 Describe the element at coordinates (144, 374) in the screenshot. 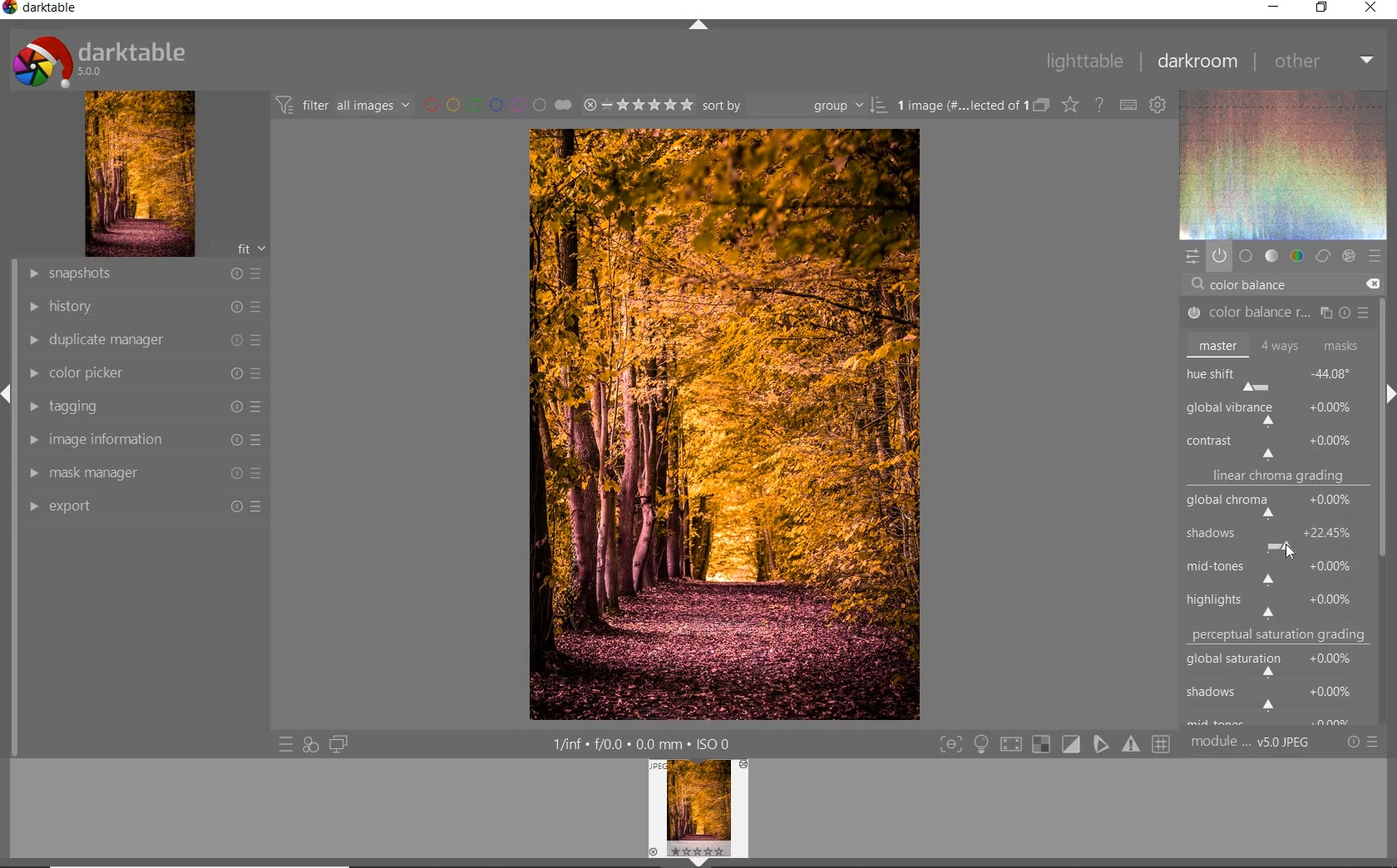

I see `color picker` at that location.